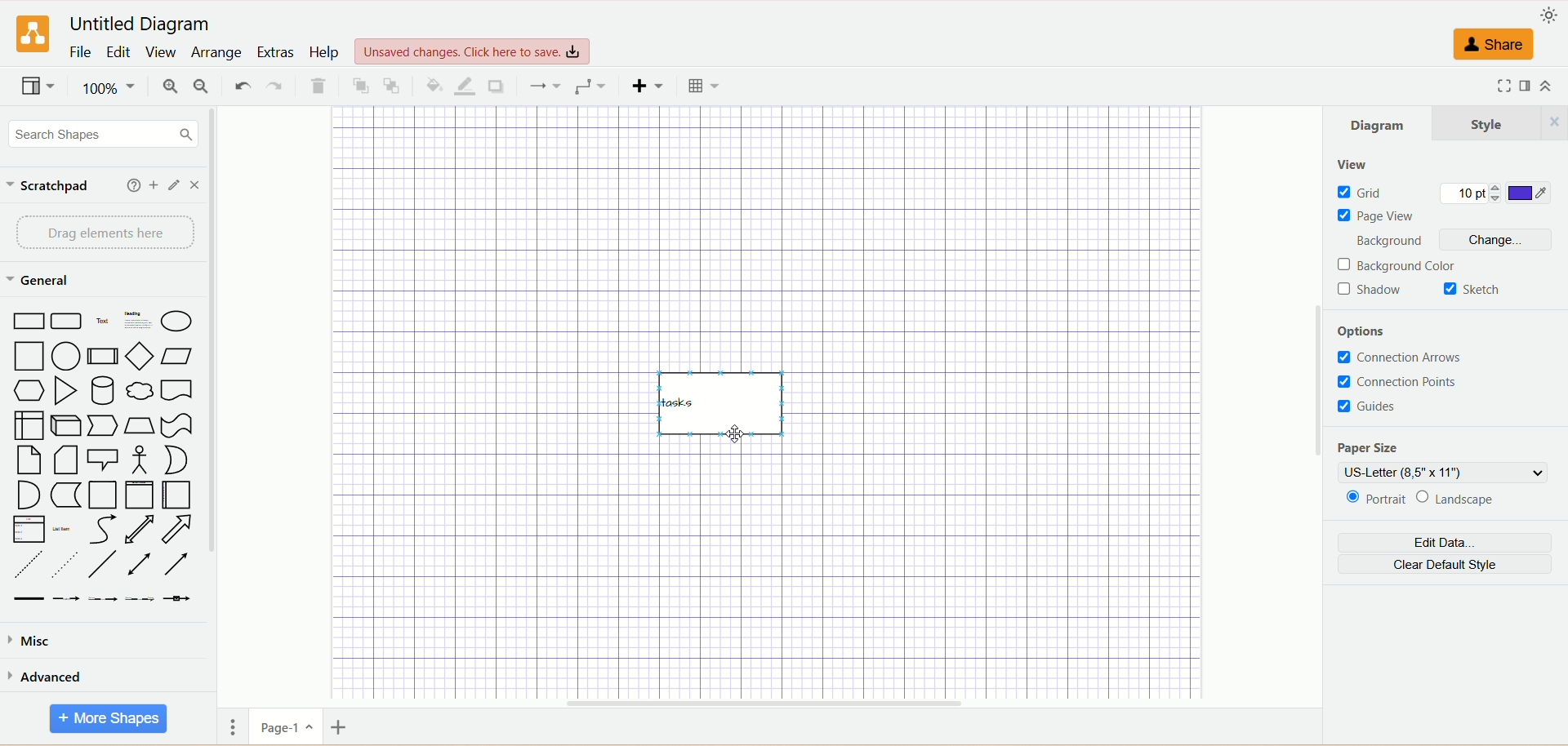  Describe the element at coordinates (103, 461) in the screenshot. I see `Speech Bubble` at that location.